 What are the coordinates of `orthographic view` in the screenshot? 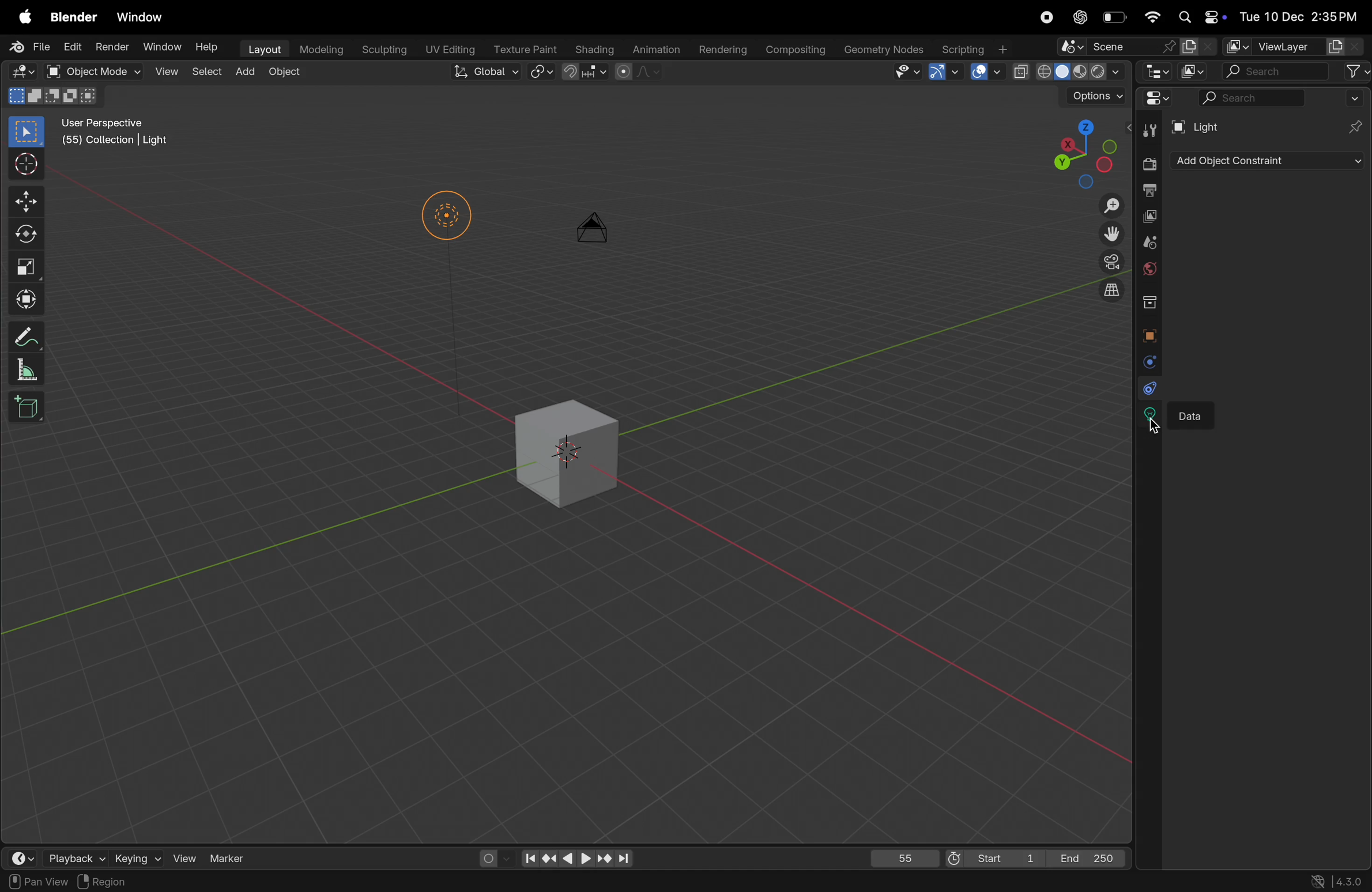 It's located at (1114, 293).